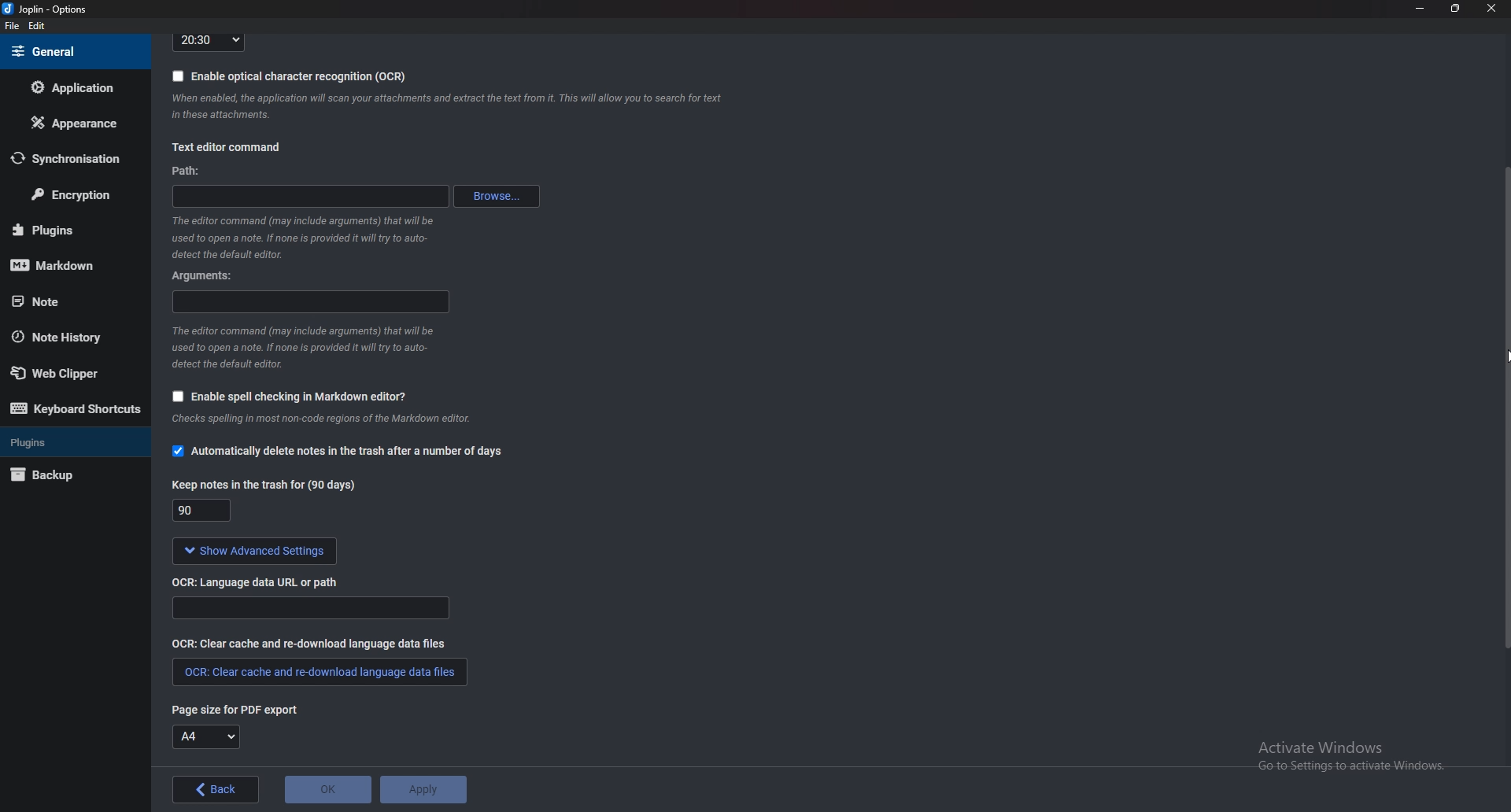 Image resolution: width=1511 pixels, height=812 pixels. I want to click on plugins, so click(71, 441).